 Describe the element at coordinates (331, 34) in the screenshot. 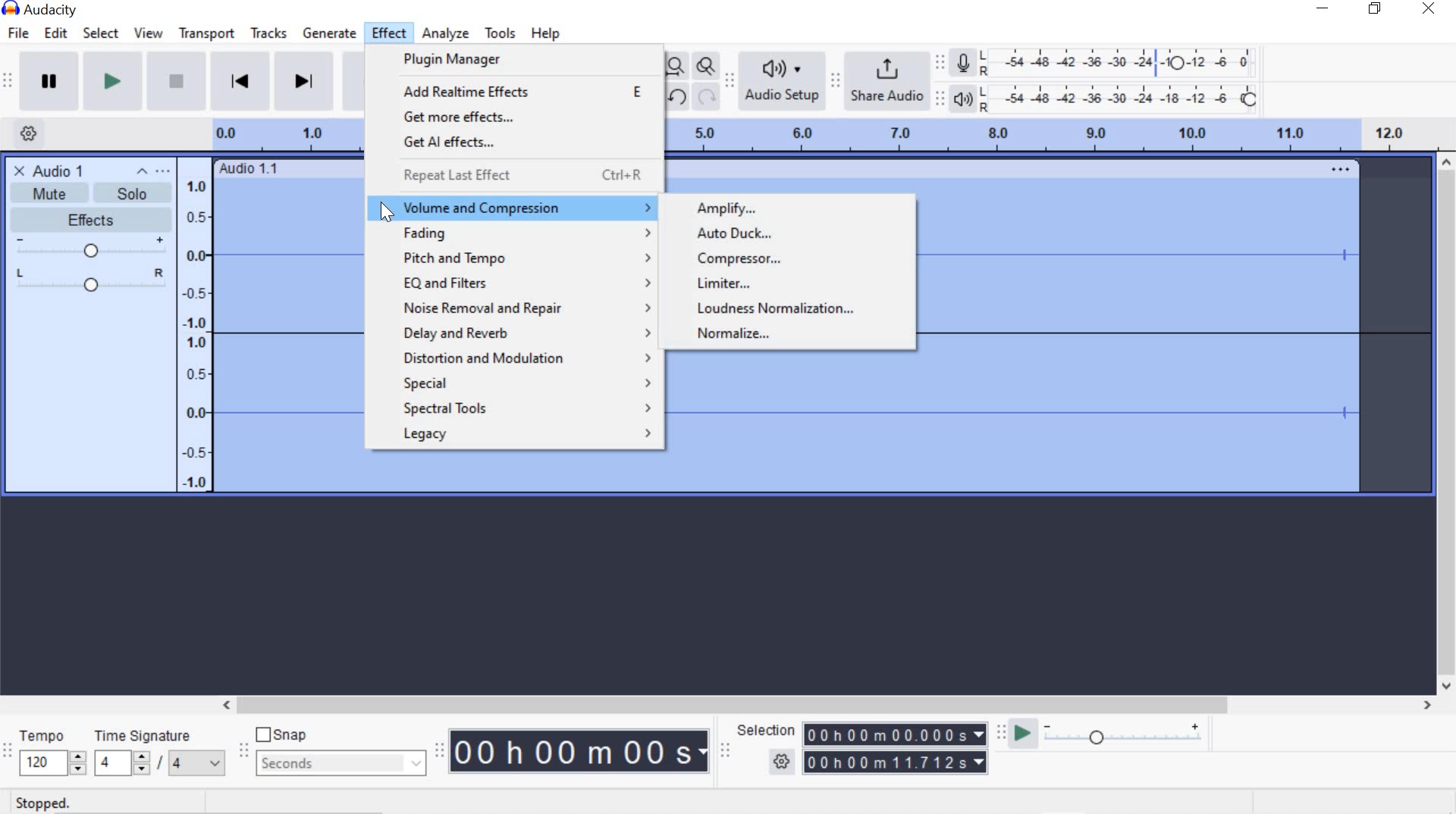

I see `generate` at that location.